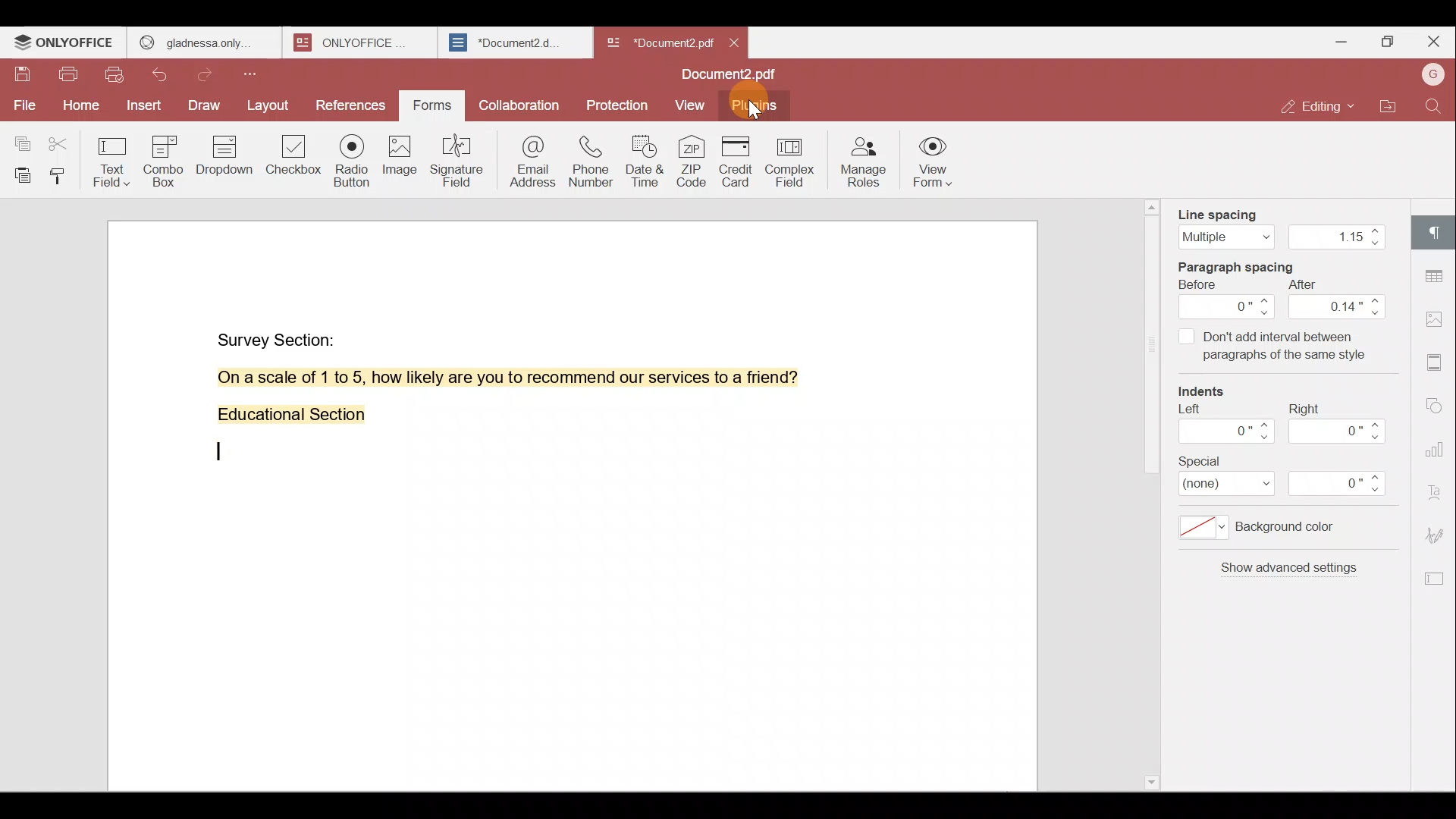 The height and width of the screenshot is (819, 1456). What do you see at coordinates (1389, 108) in the screenshot?
I see `Open file location` at bounding box center [1389, 108].